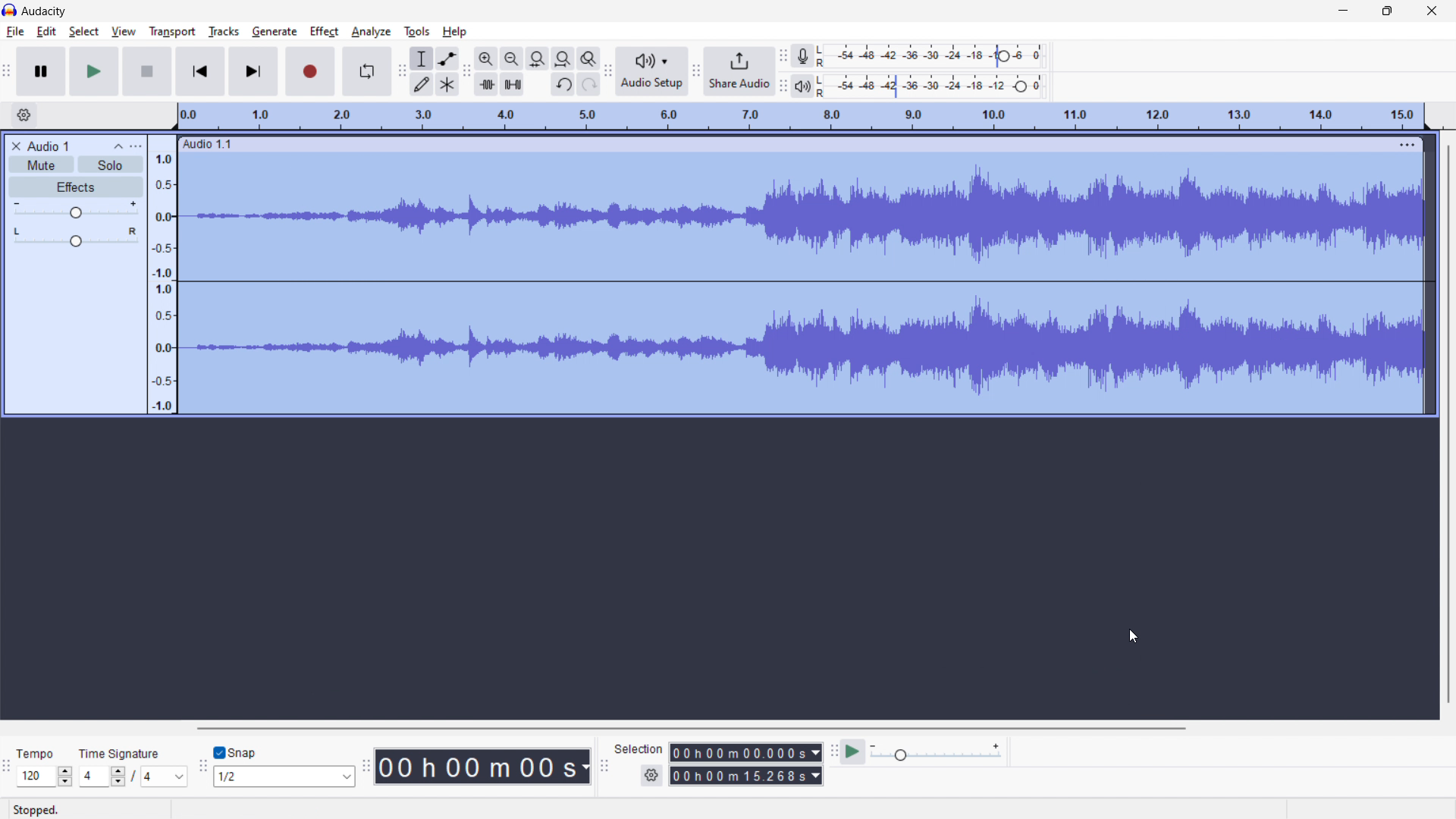 This screenshot has height=819, width=1456. I want to click on Wave Form (frequency enhanced), so click(801, 214).